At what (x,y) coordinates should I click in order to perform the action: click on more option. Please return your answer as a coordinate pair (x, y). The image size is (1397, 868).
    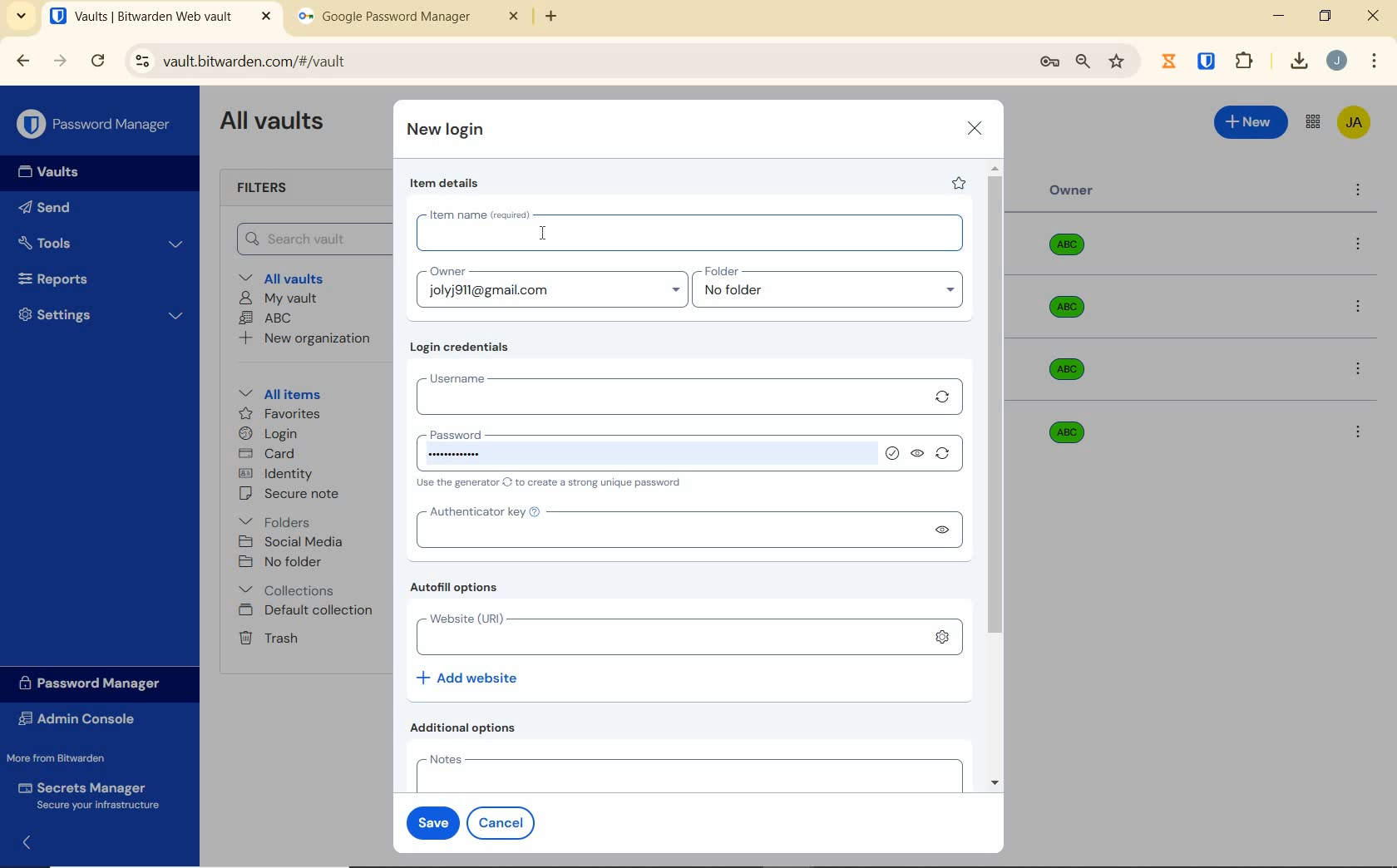
    Looking at the image, I should click on (1359, 191).